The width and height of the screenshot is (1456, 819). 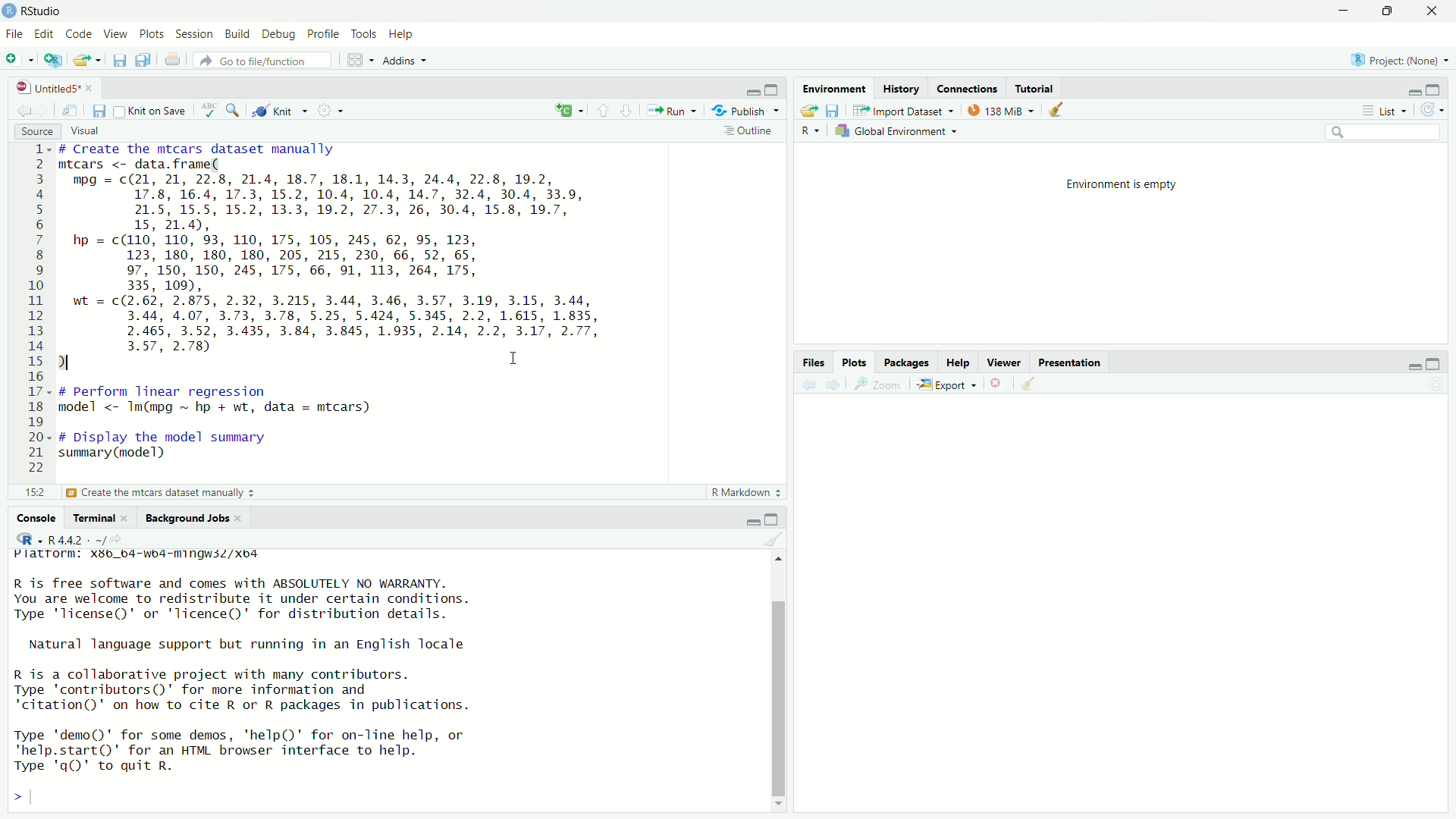 I want to click on plots, so click(x=152, y=34).